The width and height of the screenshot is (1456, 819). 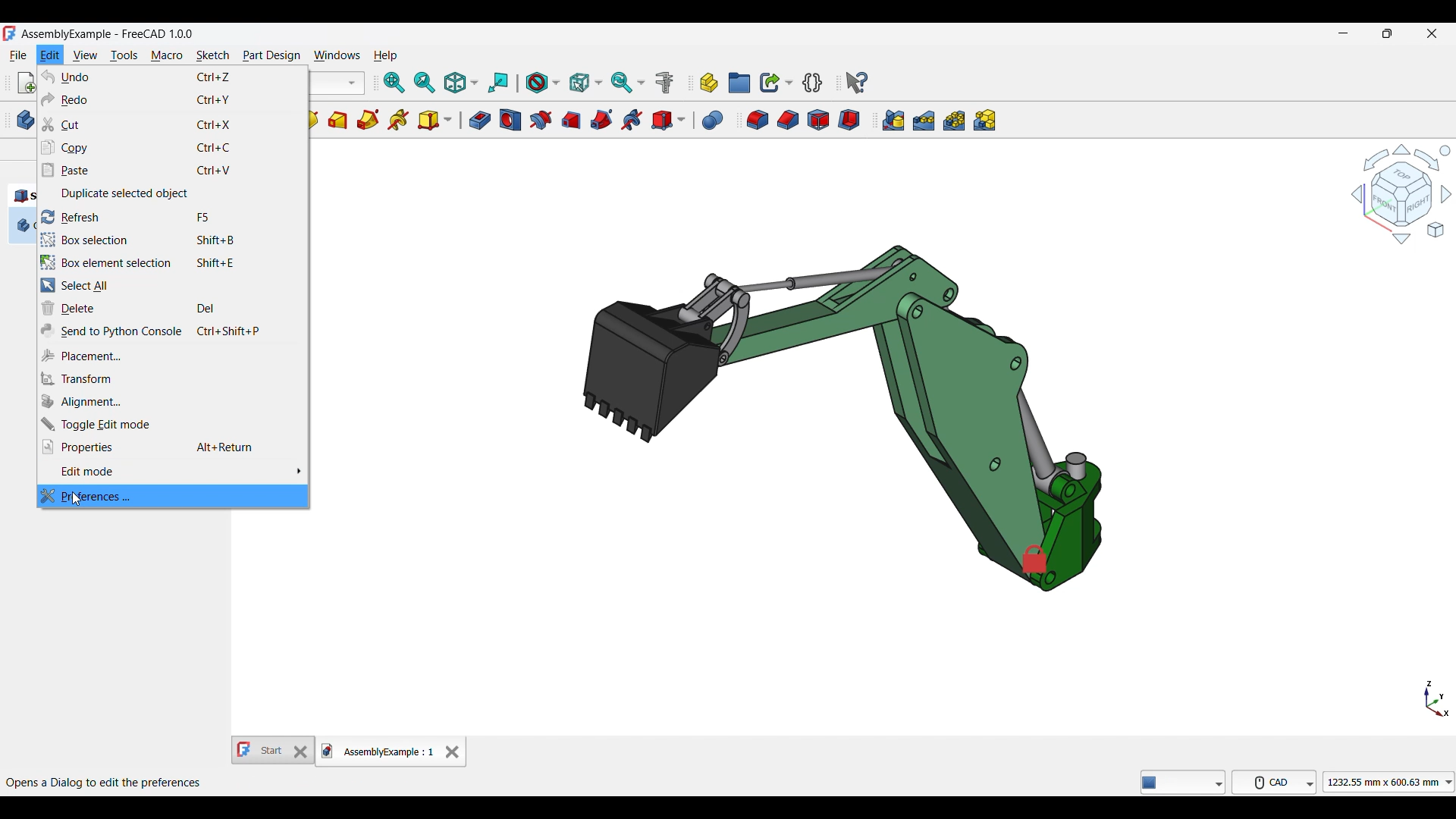 I want to click on Draw style options, so click(x=543, y=83).